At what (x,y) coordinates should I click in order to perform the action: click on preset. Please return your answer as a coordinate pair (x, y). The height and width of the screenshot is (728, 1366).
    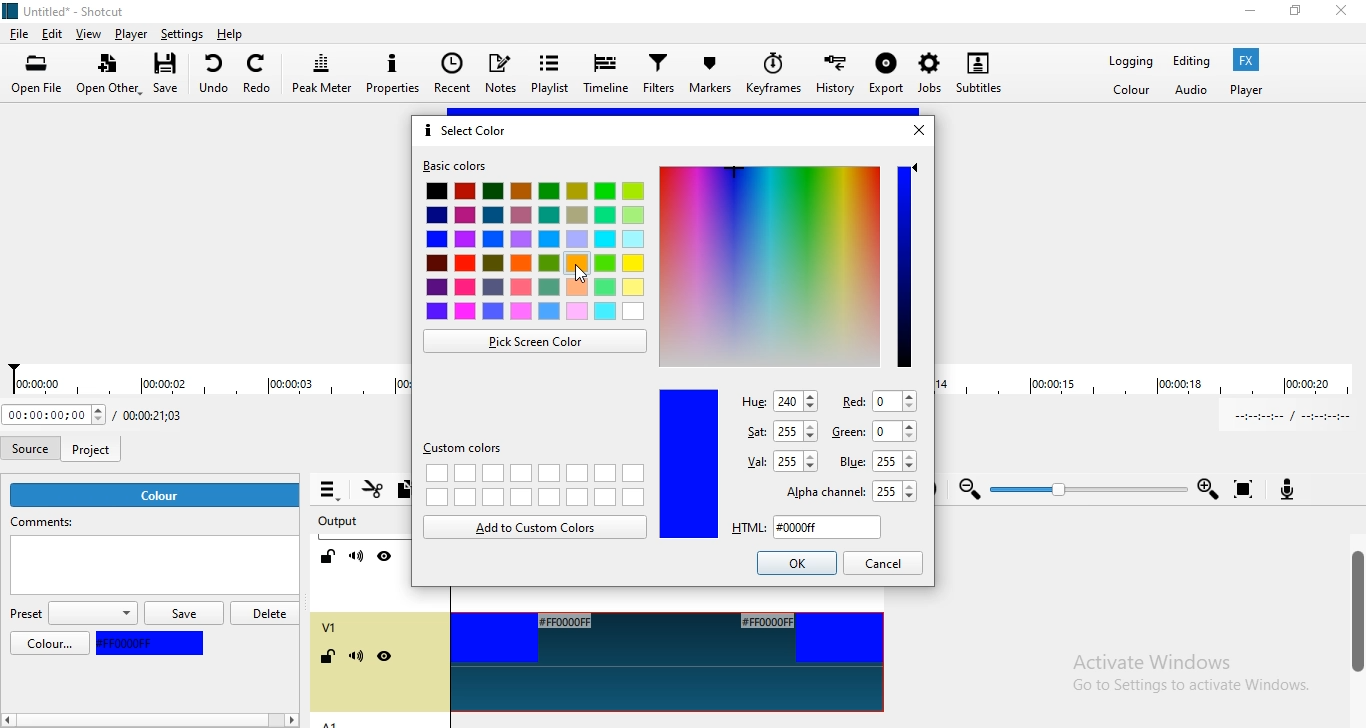
    Looking at the image, I should click on (72, 614).